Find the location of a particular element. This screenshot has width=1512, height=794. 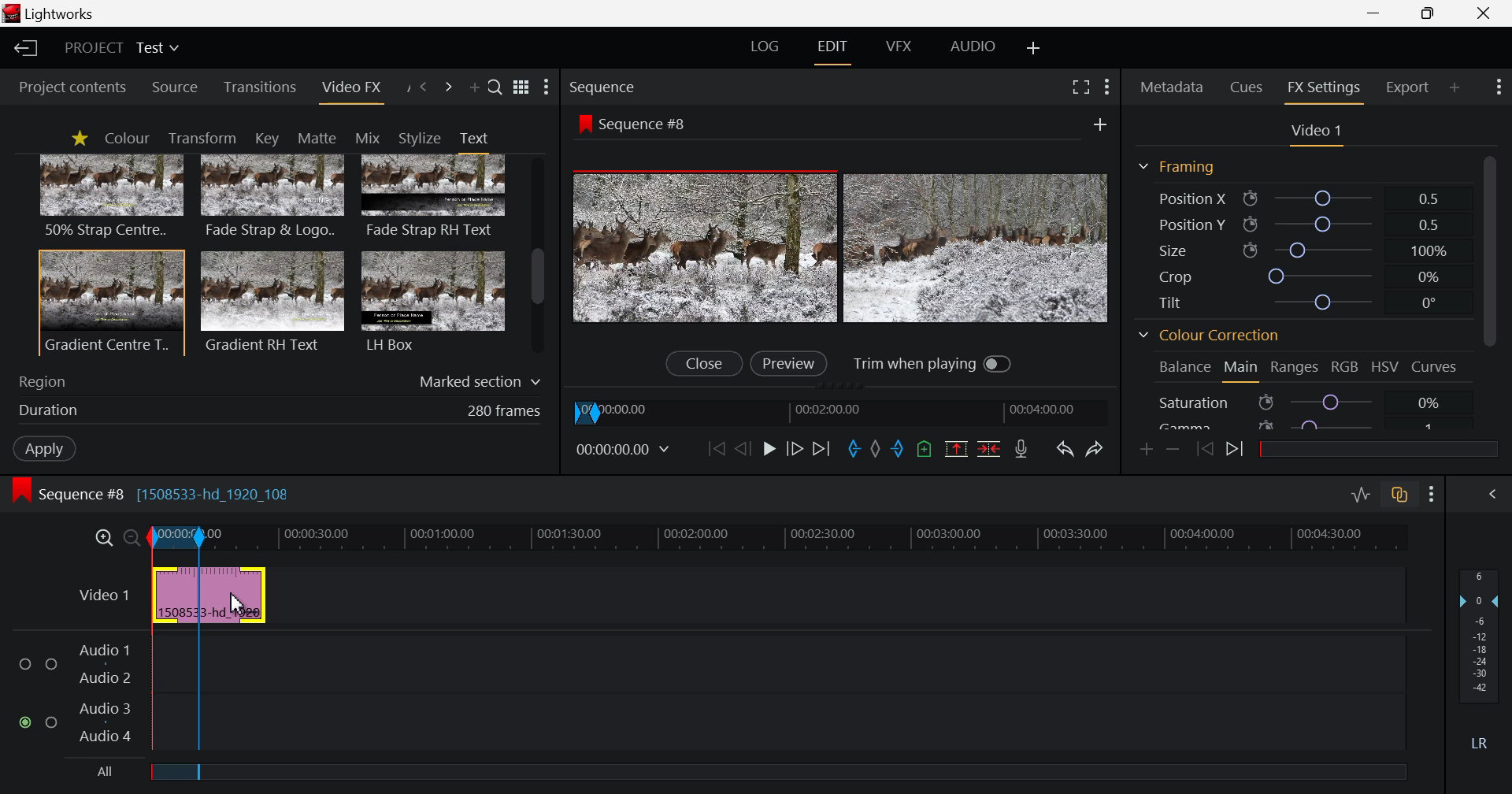

Next keyframe is located at coordinates (1237, 450).